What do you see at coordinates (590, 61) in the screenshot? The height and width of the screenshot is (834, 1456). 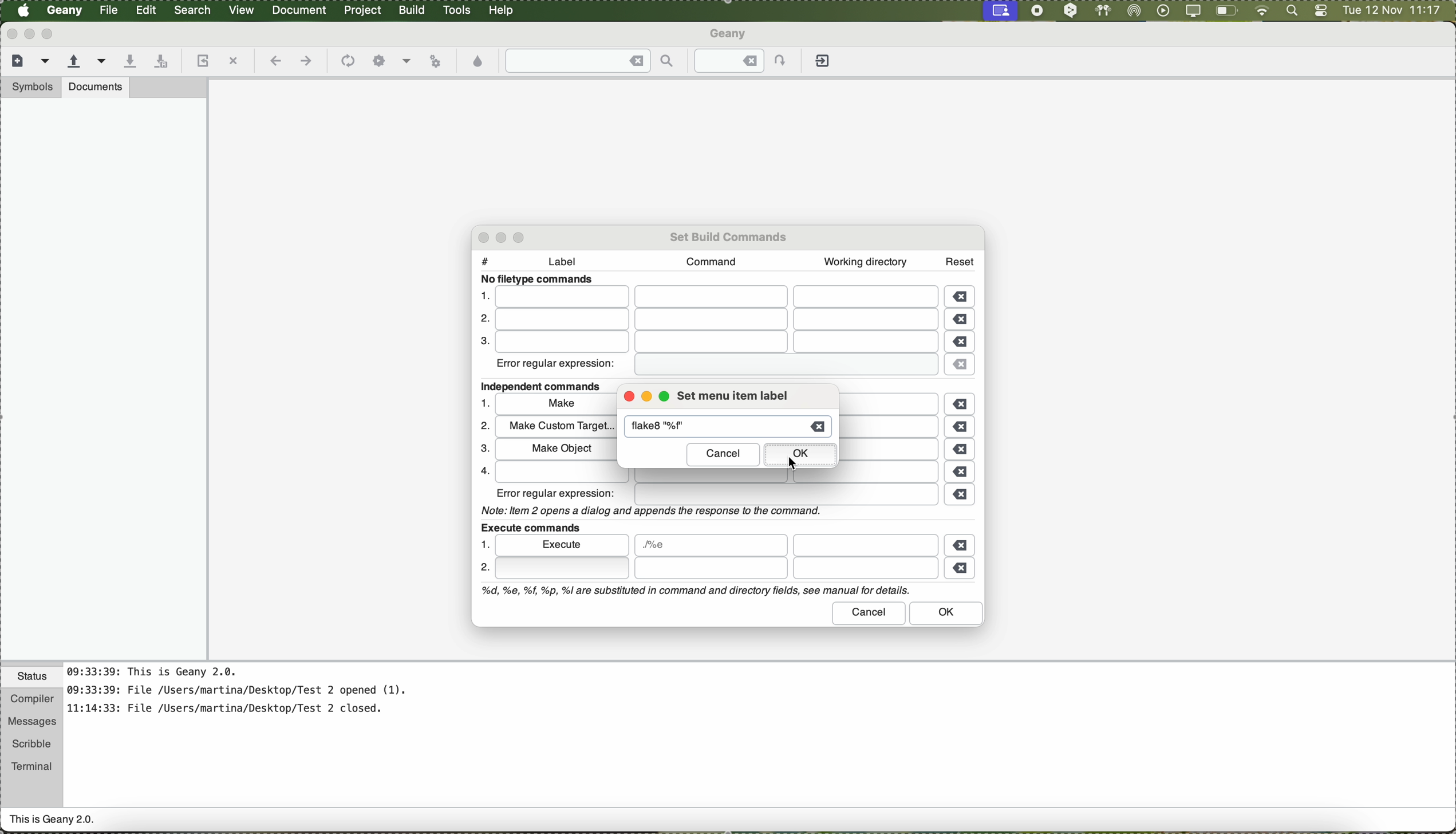 I see `find the entered text in the current file` at bounding box center [590, 61].